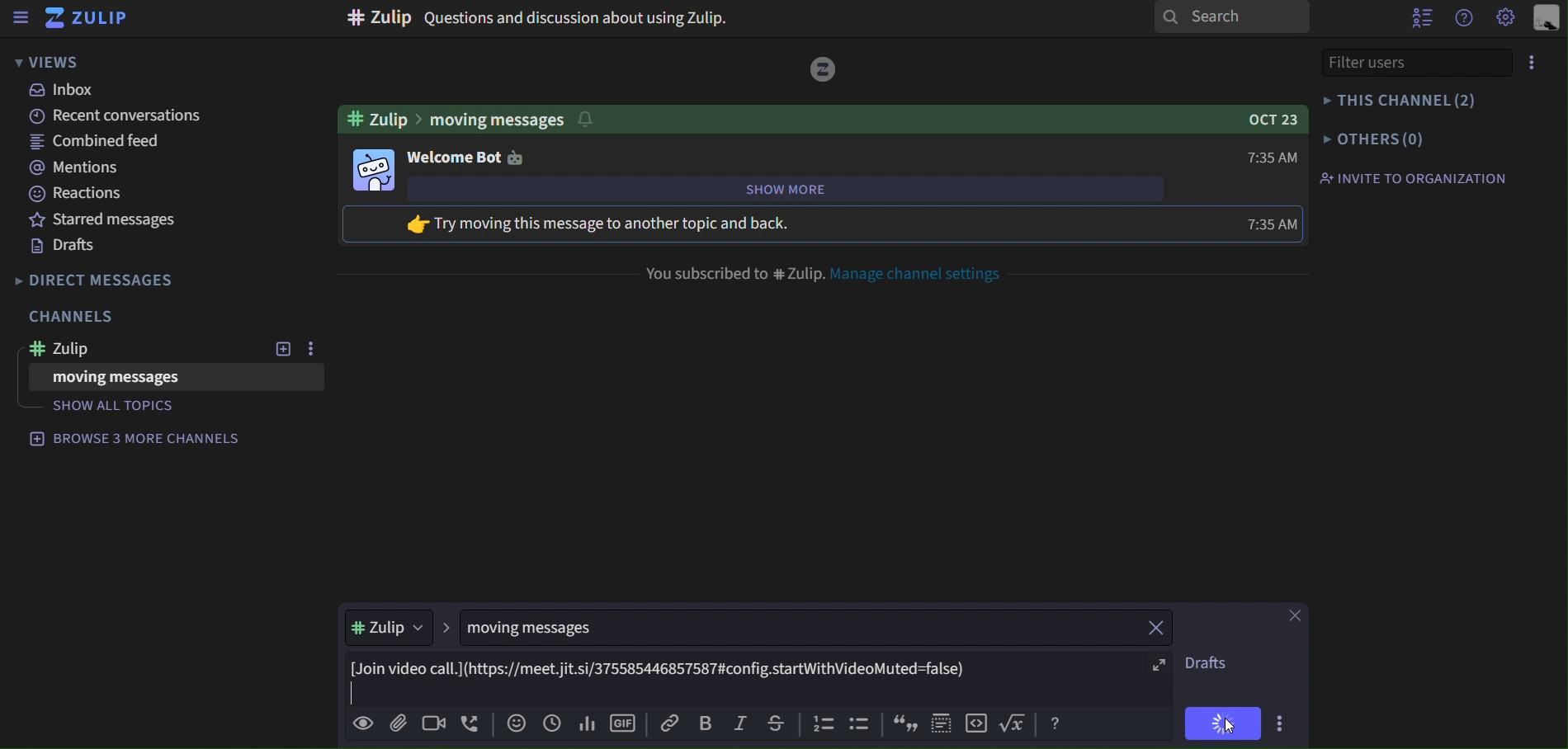  Describe the element at coordinates (396, 723) in the screenshot. I see `add file` at that location.